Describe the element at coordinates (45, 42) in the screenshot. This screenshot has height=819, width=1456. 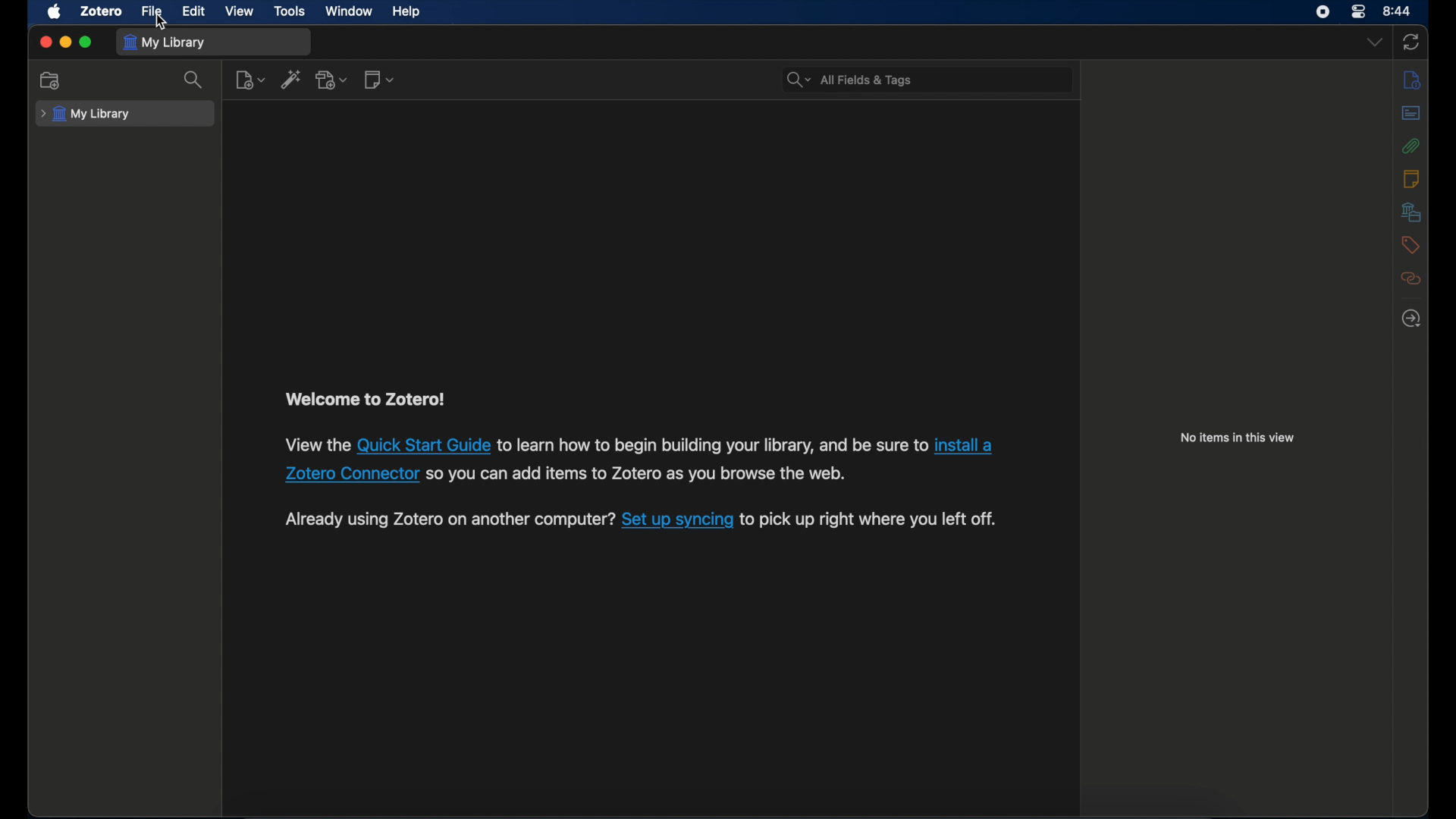
I see `close` at that location.